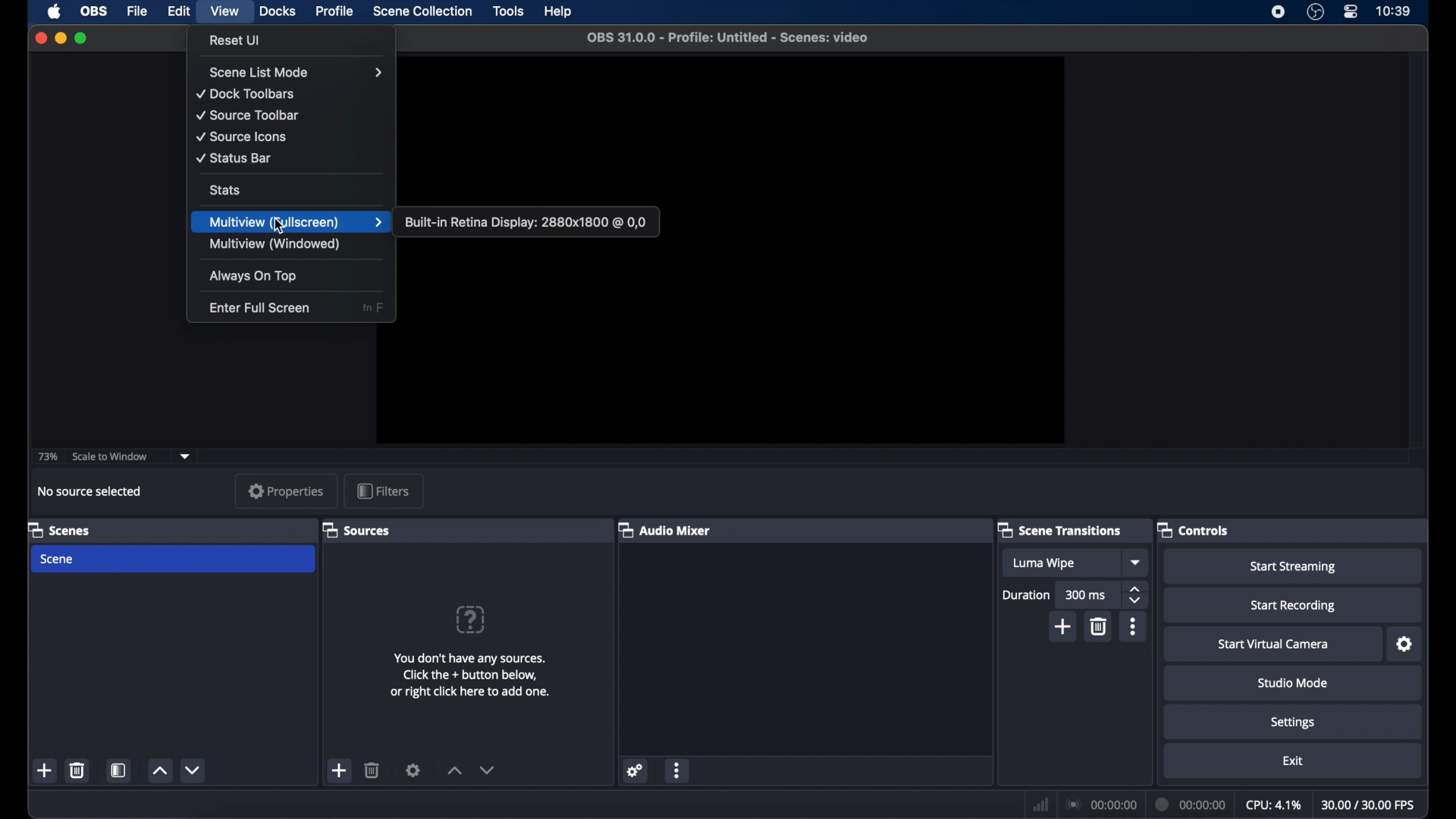  I want to click on controls, so click(1193, 529).